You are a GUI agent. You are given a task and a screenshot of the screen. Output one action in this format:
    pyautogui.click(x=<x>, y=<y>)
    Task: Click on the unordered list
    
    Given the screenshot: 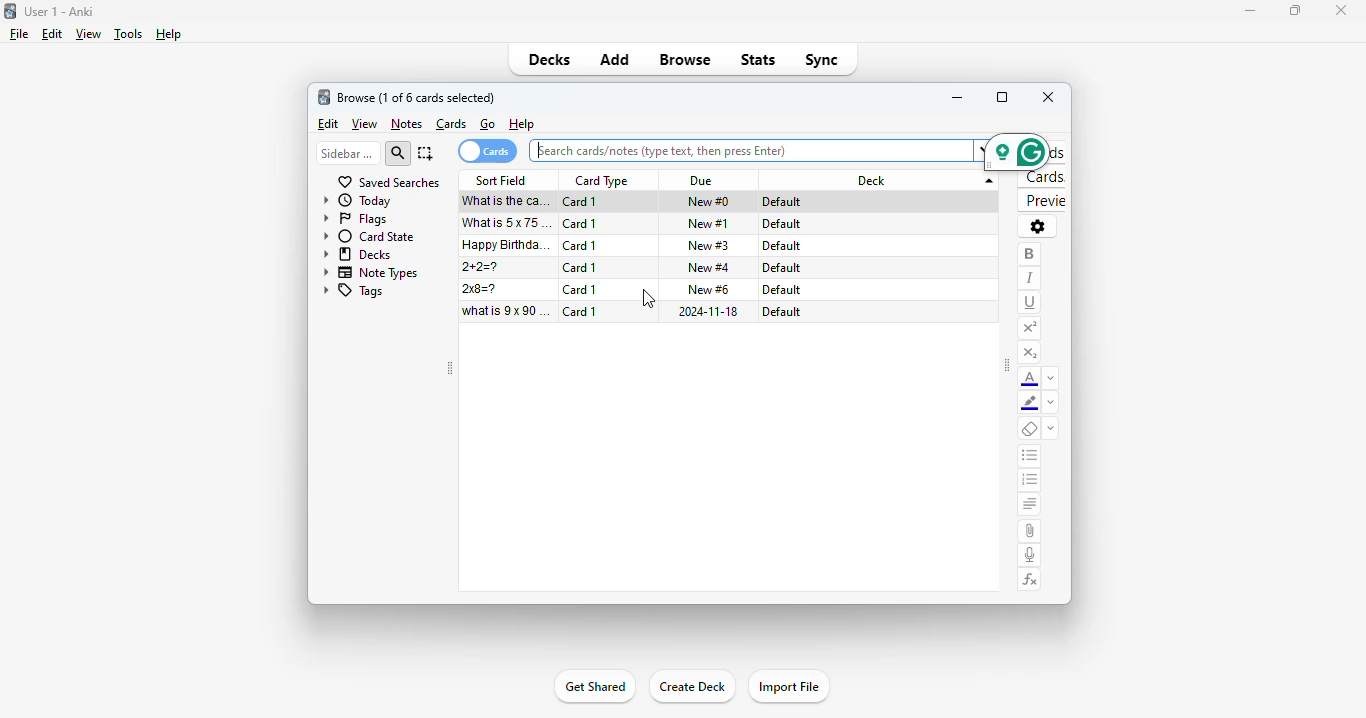 What is the action you would take?
    pyautogui.click(x=1030, y=457)
    